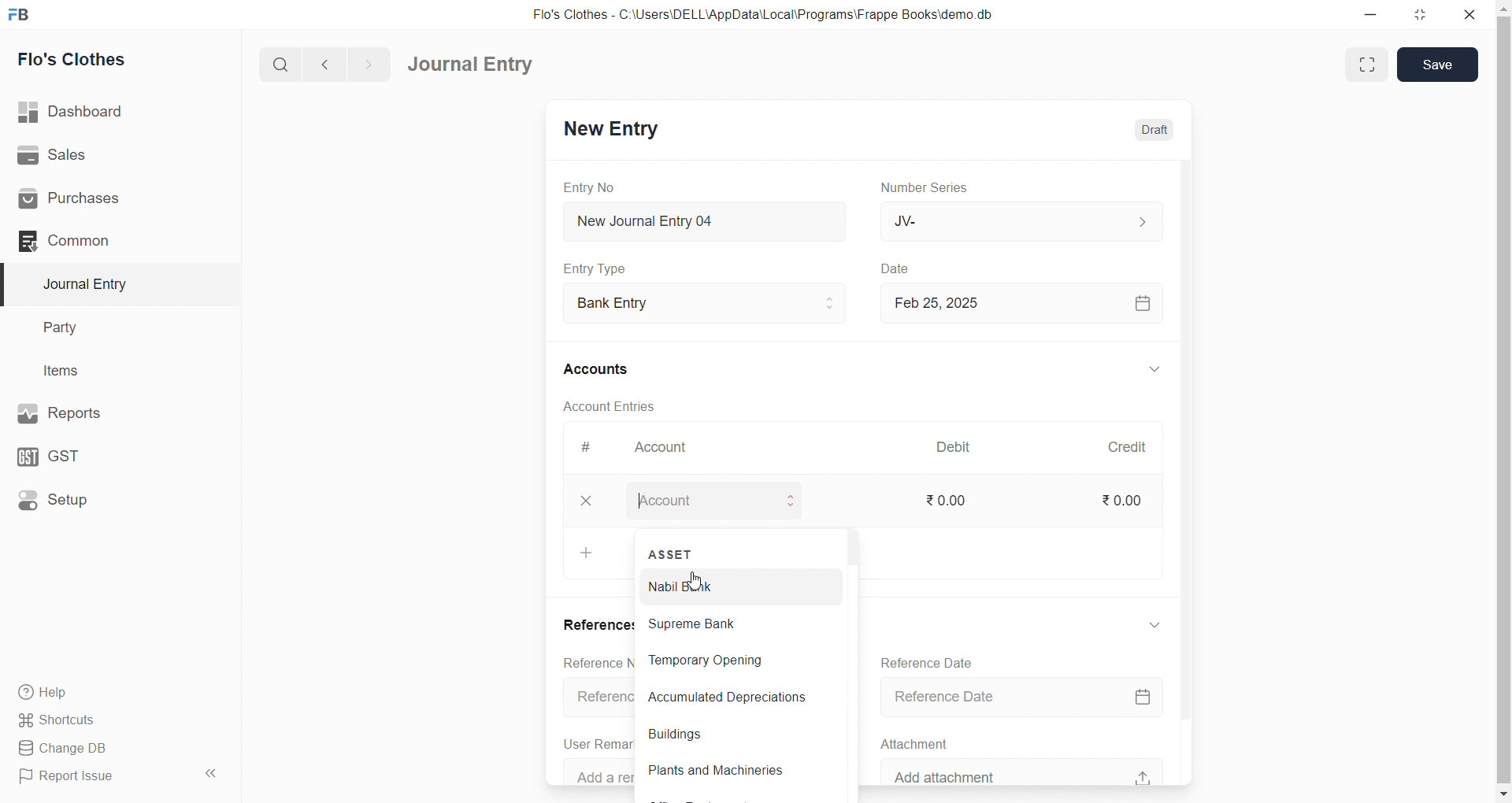 The width and height of the screenshot is (1512, 803). Describe the element at coordinates (1423, 14) in the screenshot. I see `resize` at that location.